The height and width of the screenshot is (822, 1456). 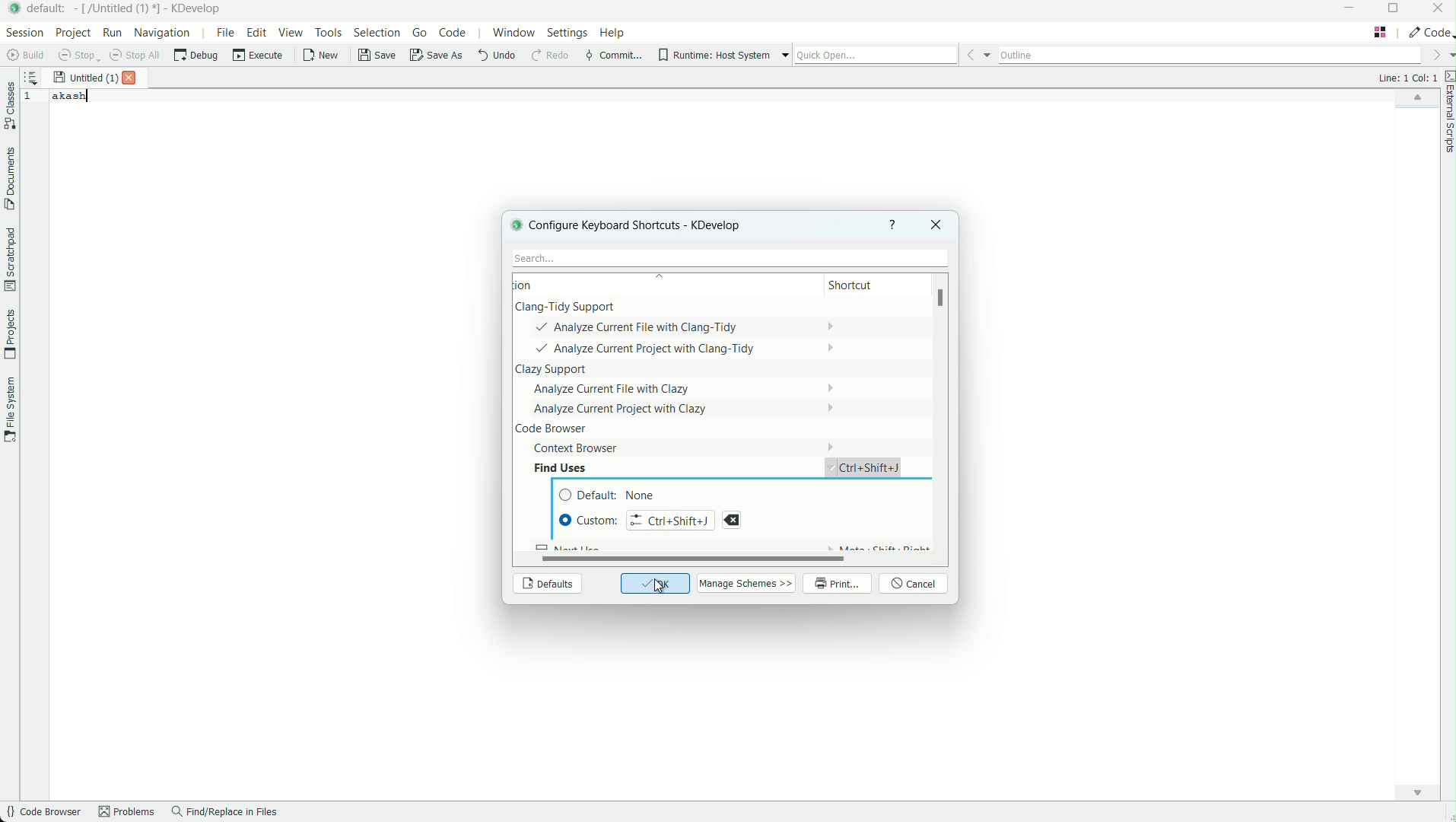 What do you see at coordinates (137, 56) in the screenshot?
I see `stop all` at bounding box center [137, 56].